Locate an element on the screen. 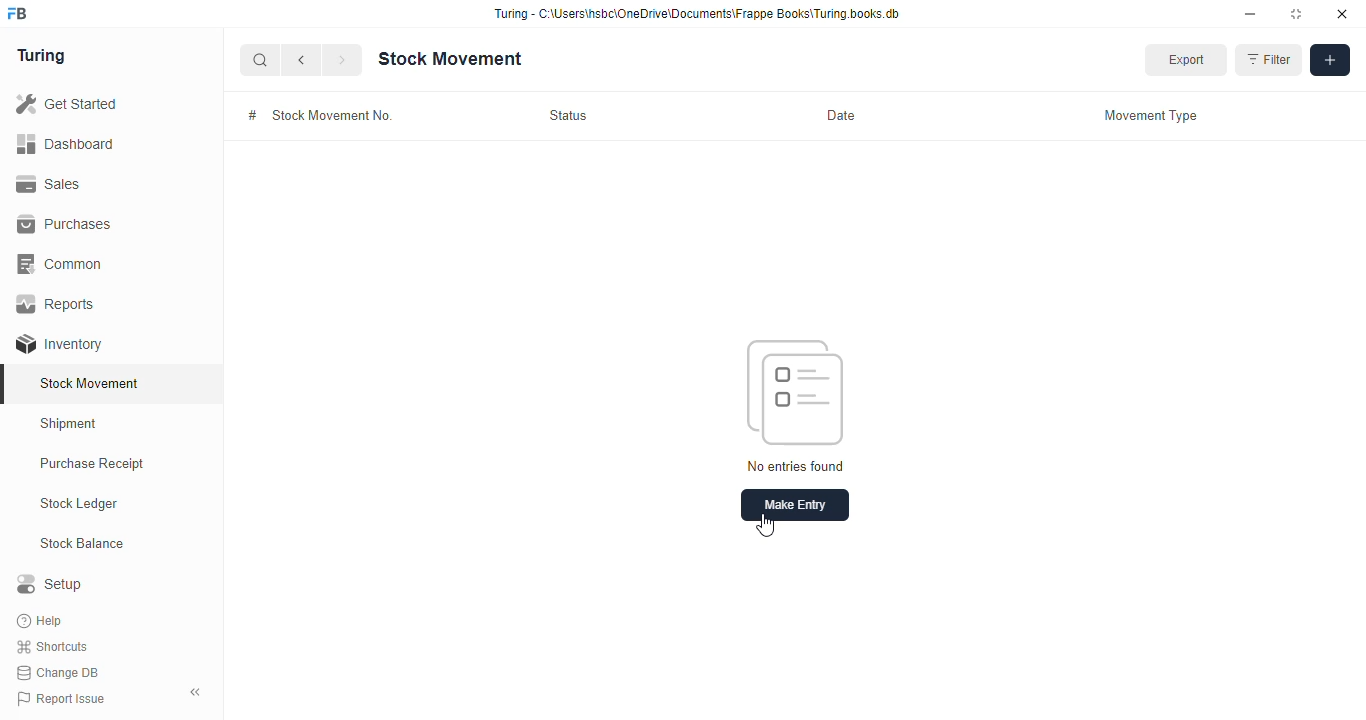 The image size is (1366, 720). make entry is located at coordinates (795, 505).